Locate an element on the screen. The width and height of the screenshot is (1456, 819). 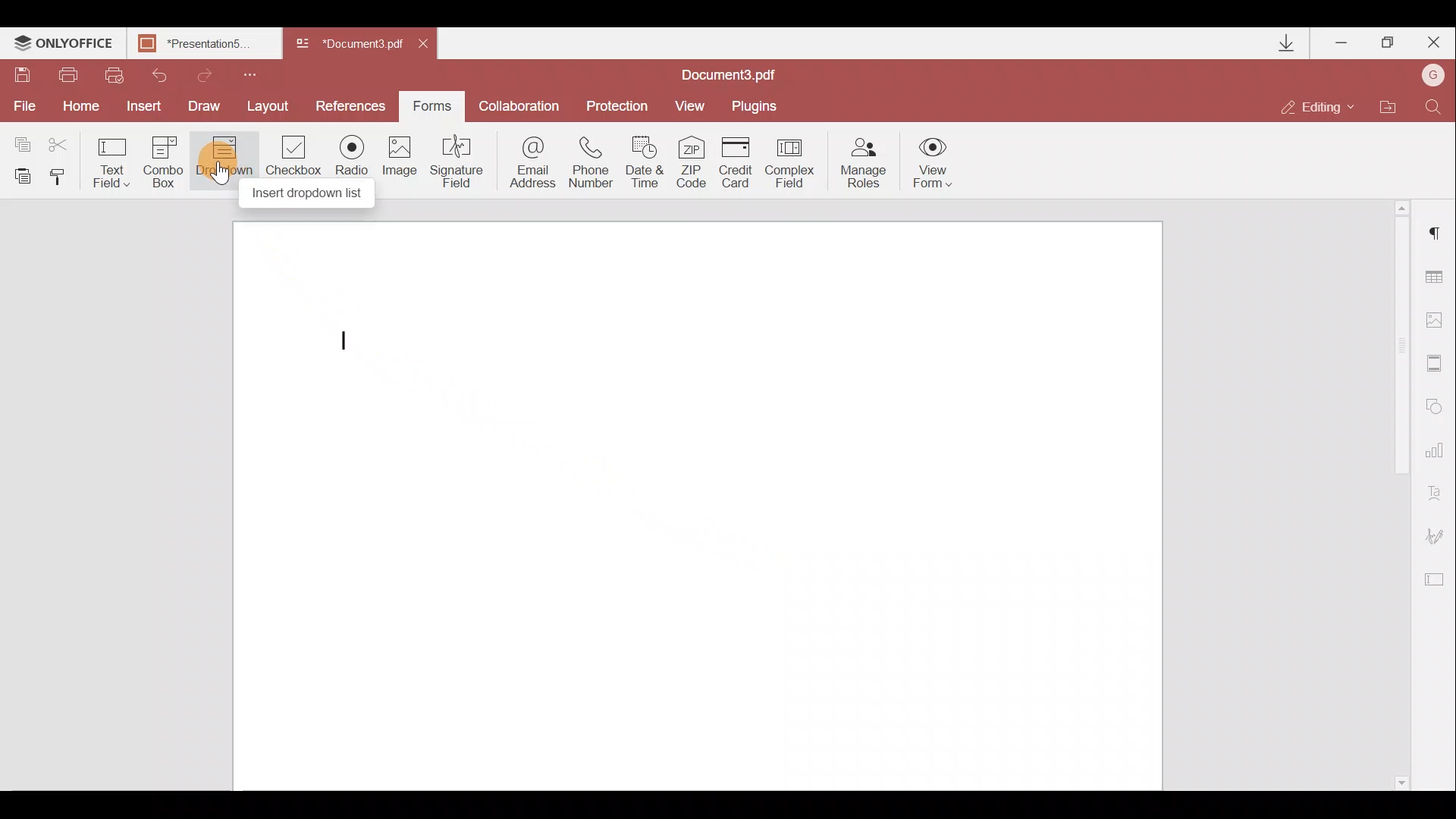
Chart settings is located at coordinates (1438, 450).